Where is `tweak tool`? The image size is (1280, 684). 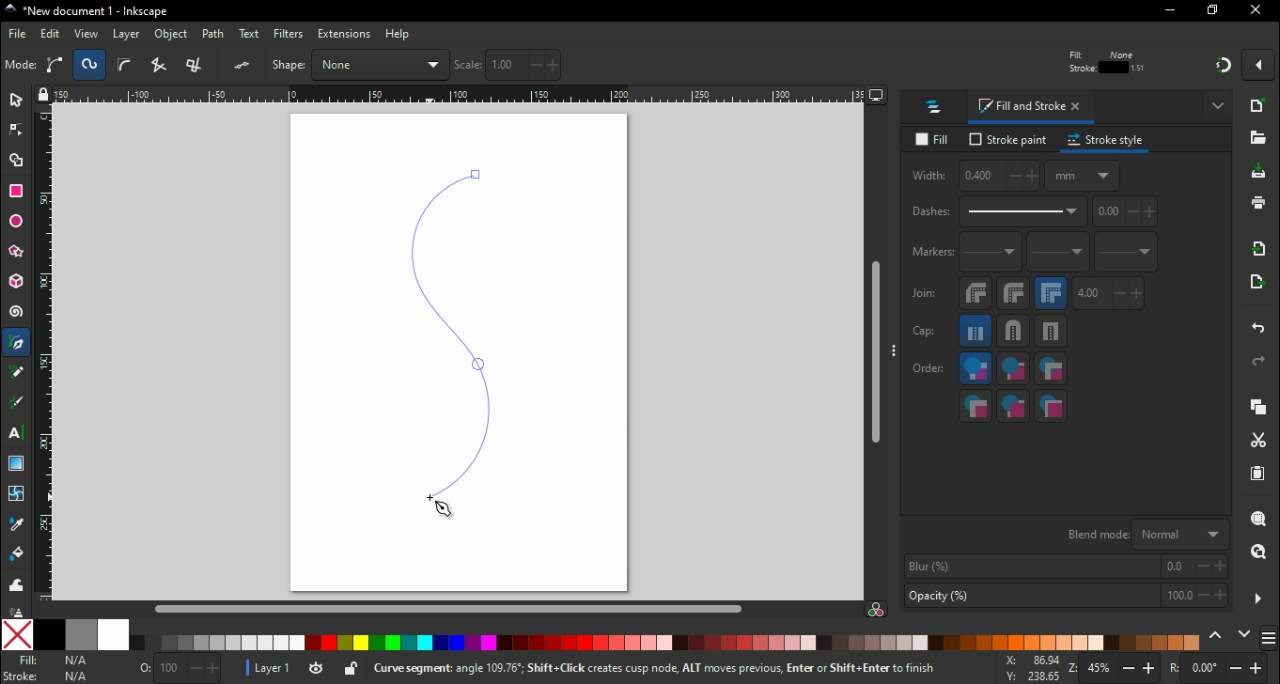 tweak tool is located at coordinates (16, 588).